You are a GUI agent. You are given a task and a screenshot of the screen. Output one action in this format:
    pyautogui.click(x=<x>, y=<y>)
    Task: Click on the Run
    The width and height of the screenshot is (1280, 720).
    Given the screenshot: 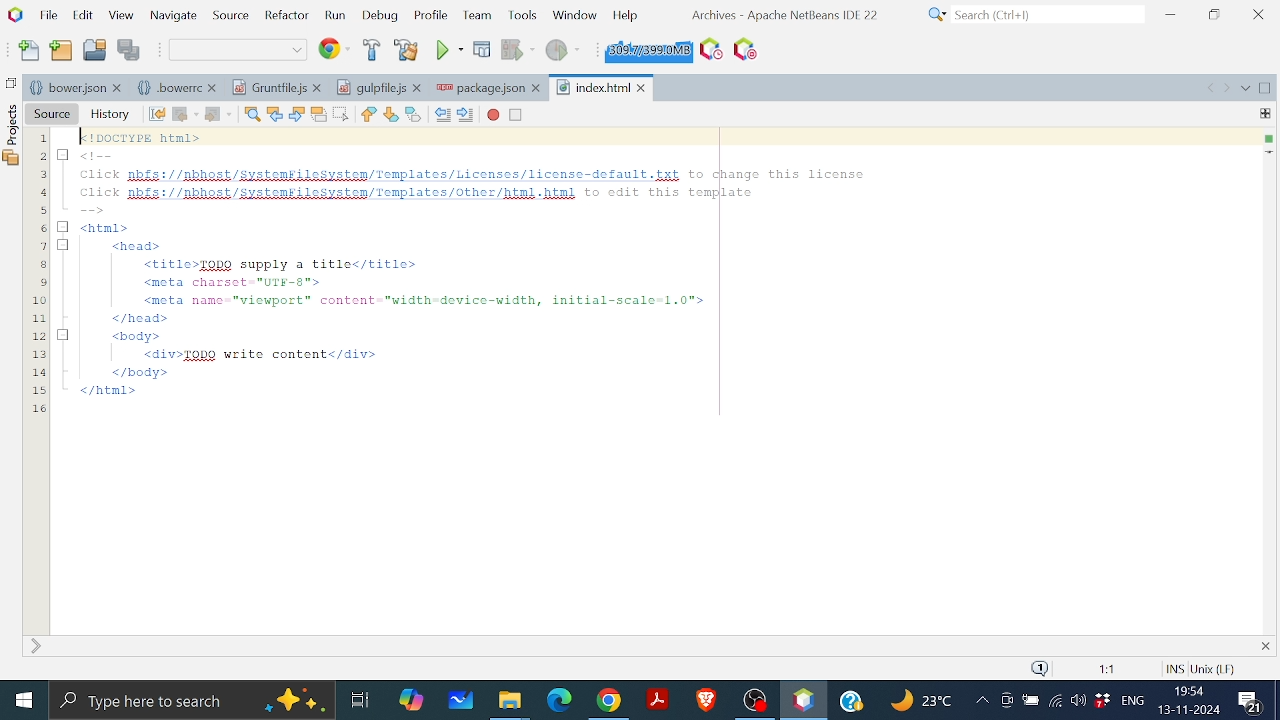 What is the action you would take?
    pyautogui.click(x=448, y=50)
    